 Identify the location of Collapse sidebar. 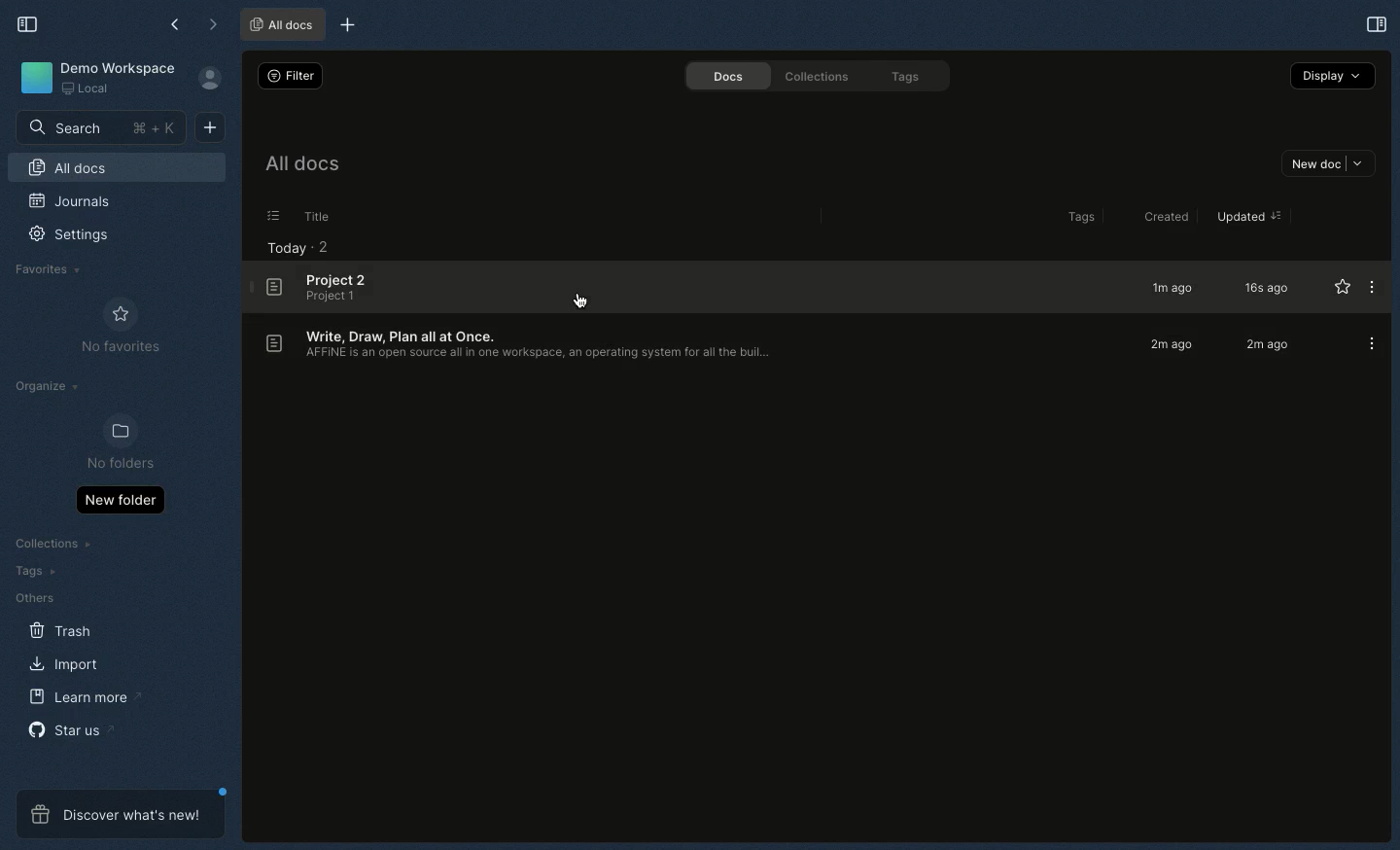
(34, 24).